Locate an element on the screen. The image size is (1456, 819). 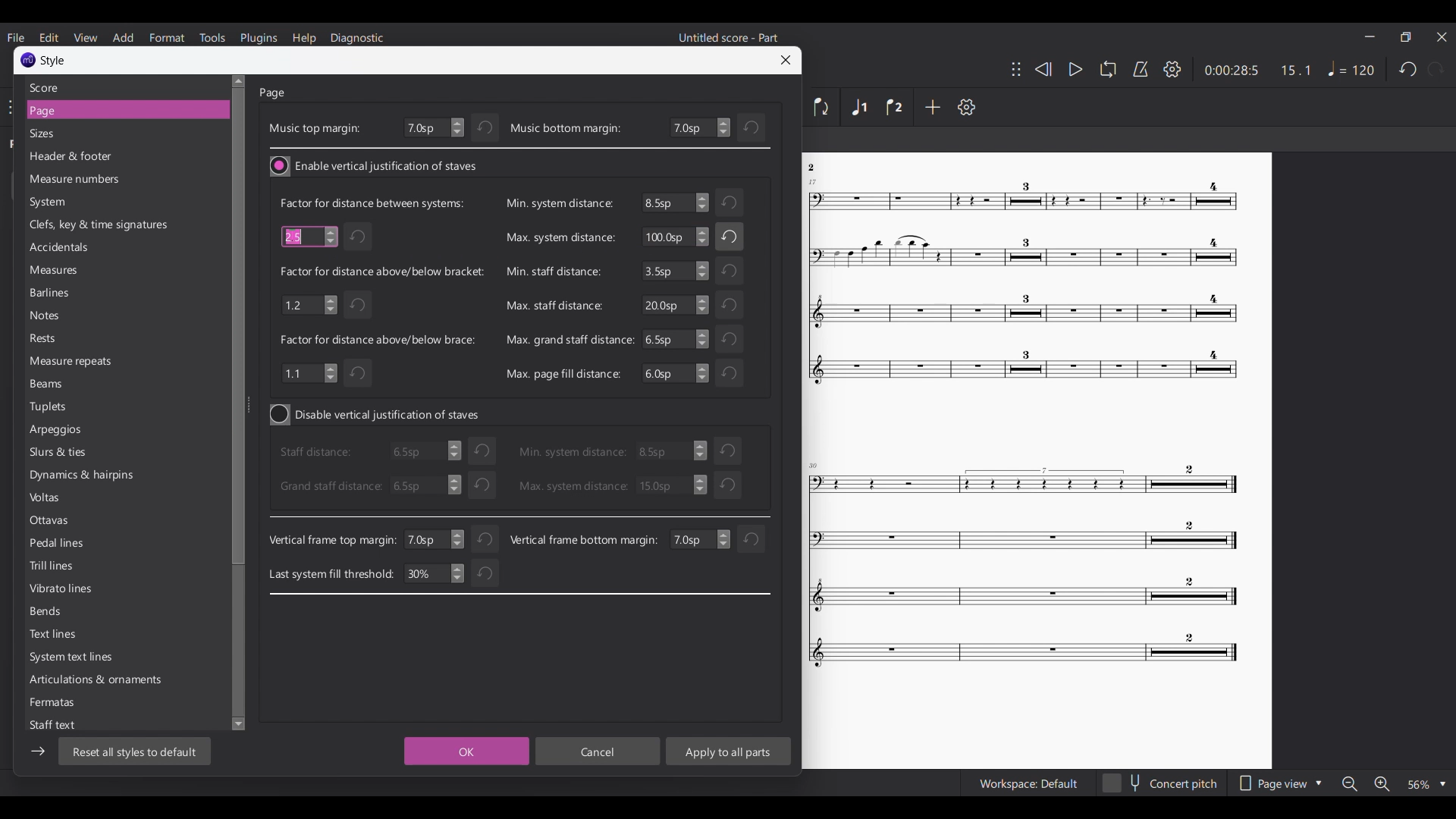
Undo is located at coordinates (485, 128).